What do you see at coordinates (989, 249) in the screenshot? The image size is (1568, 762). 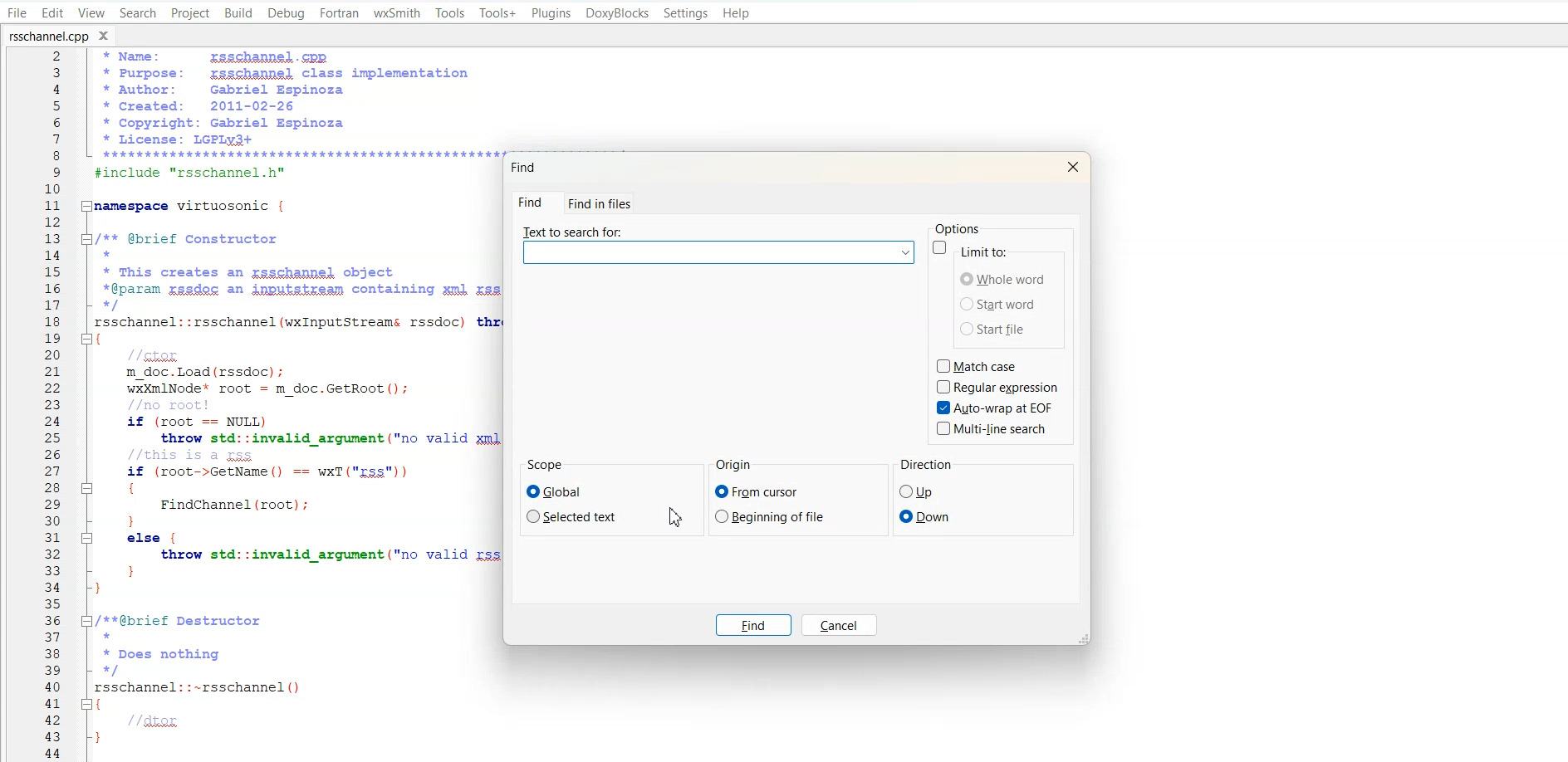 I see `Limit to` at bounding box center [989, 249].